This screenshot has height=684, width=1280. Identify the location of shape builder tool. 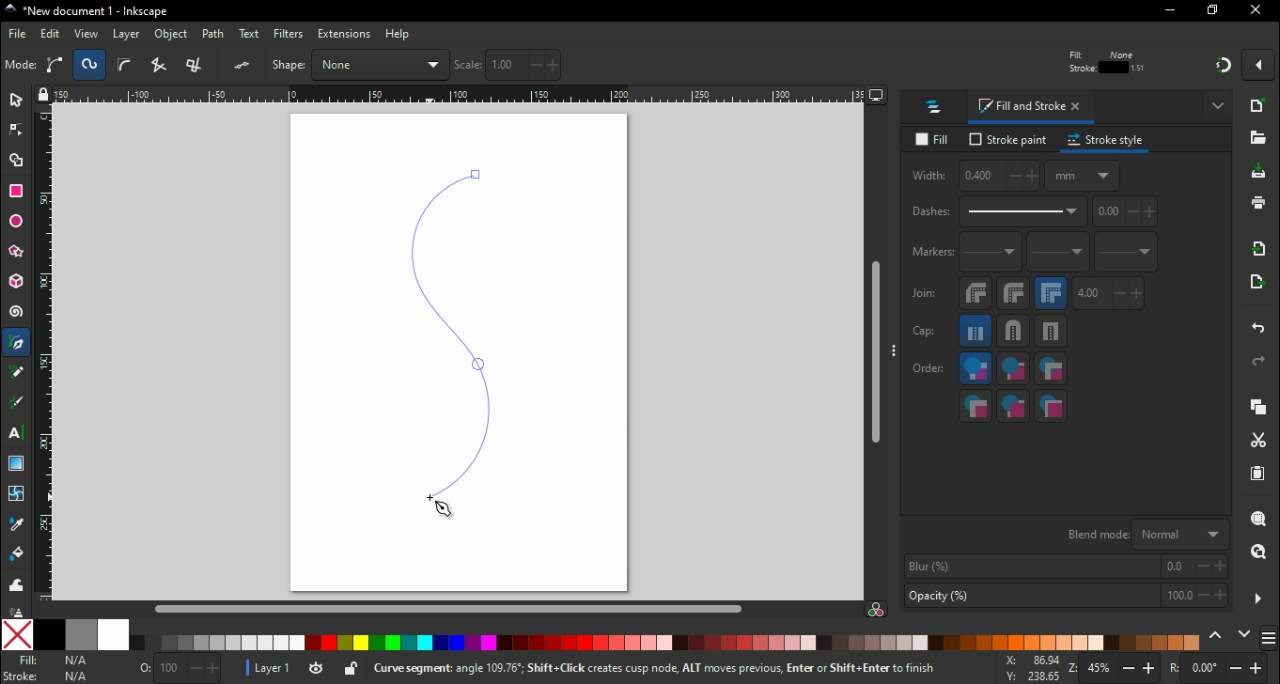
(19, 162).